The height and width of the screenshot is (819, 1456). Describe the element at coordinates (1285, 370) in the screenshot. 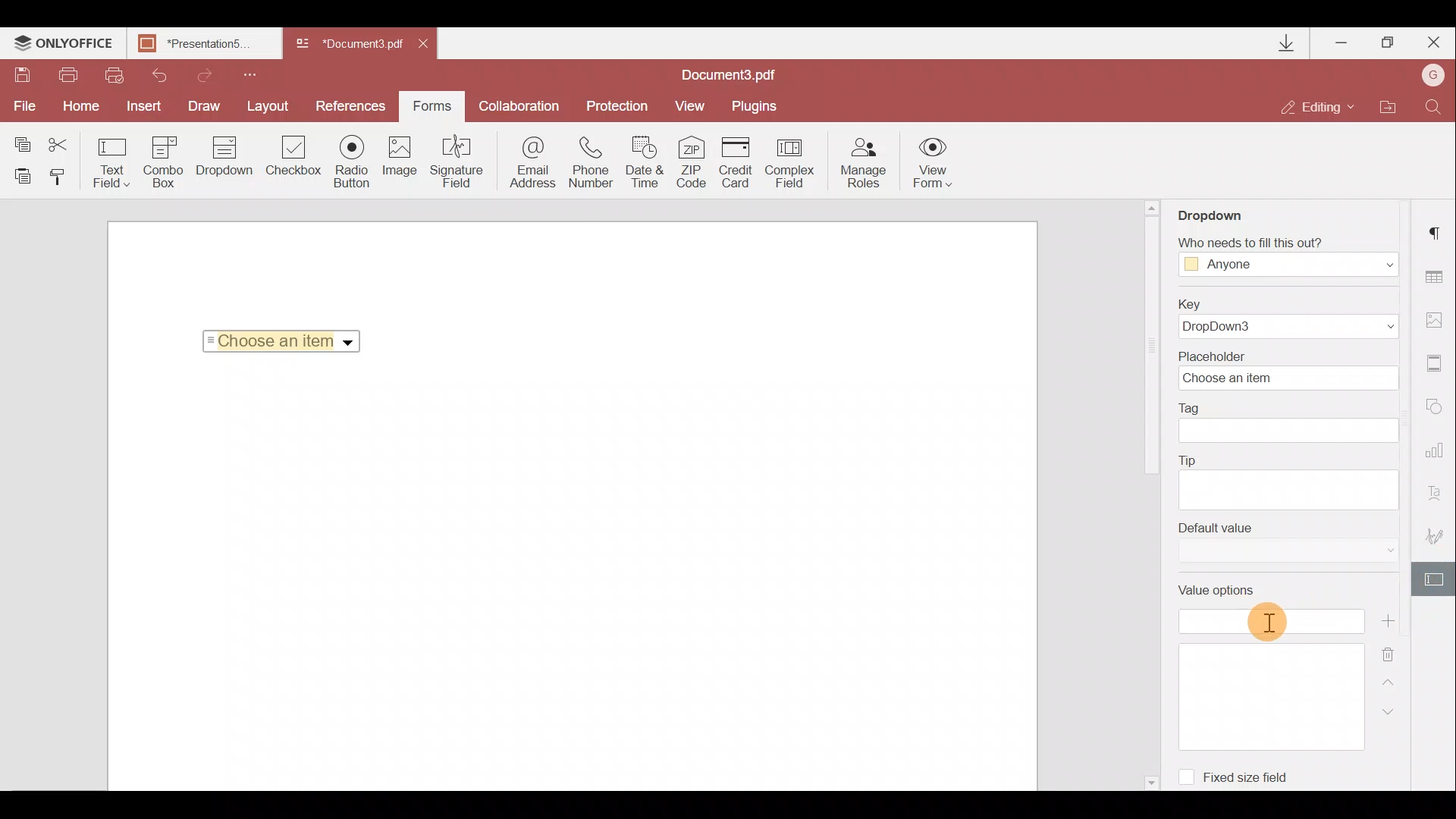

I see `Placeholder` at that location.